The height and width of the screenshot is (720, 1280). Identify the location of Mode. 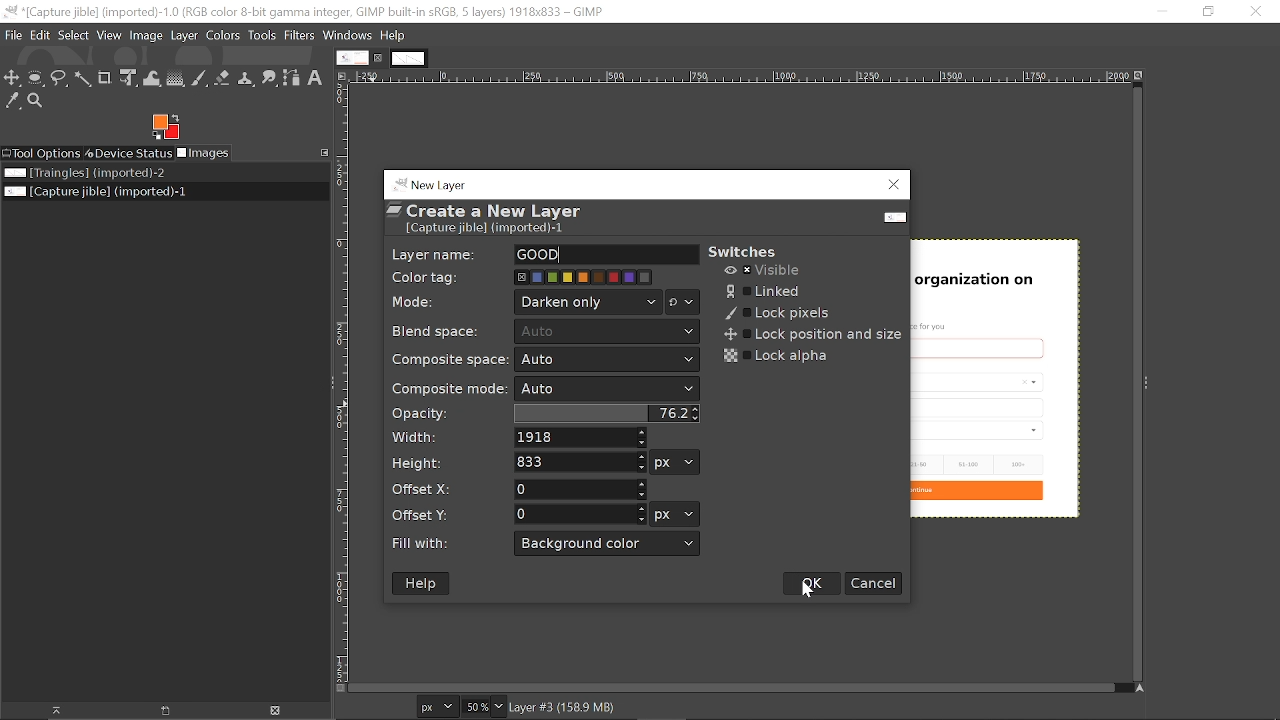
(589, 302).